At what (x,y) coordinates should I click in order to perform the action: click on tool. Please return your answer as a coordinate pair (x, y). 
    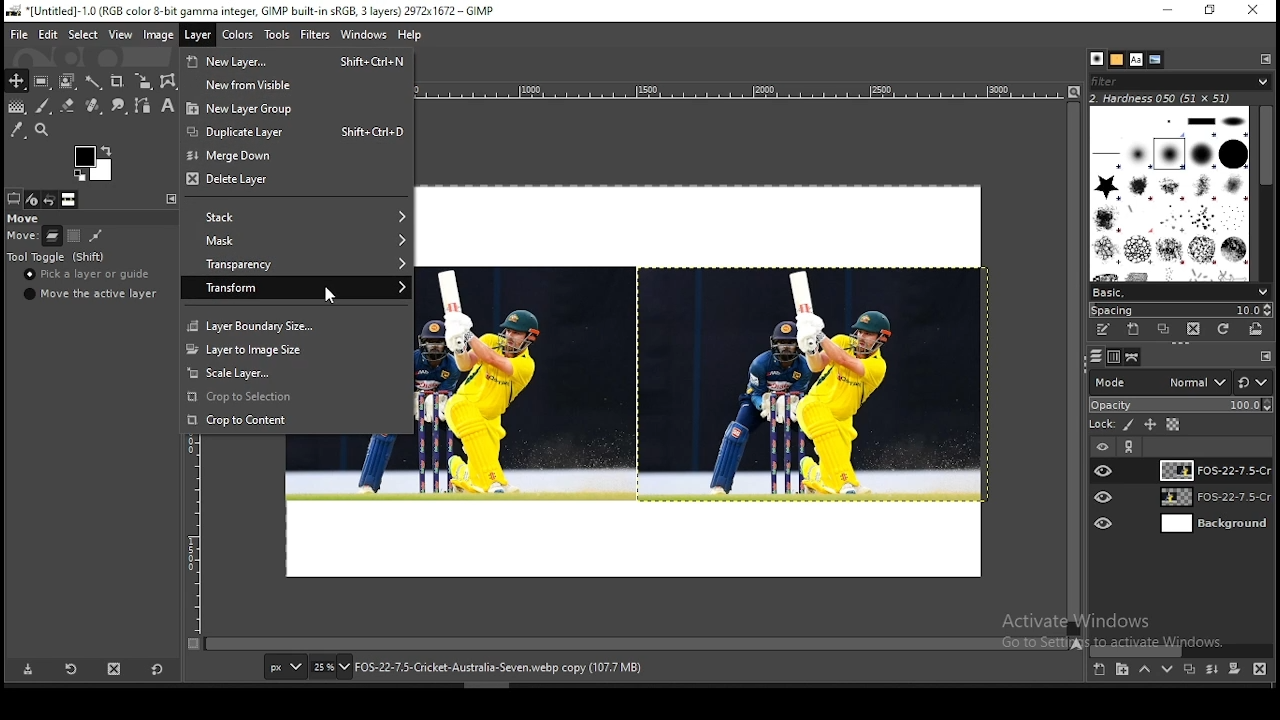
    Looking at the image, I should click on (1266, 357).